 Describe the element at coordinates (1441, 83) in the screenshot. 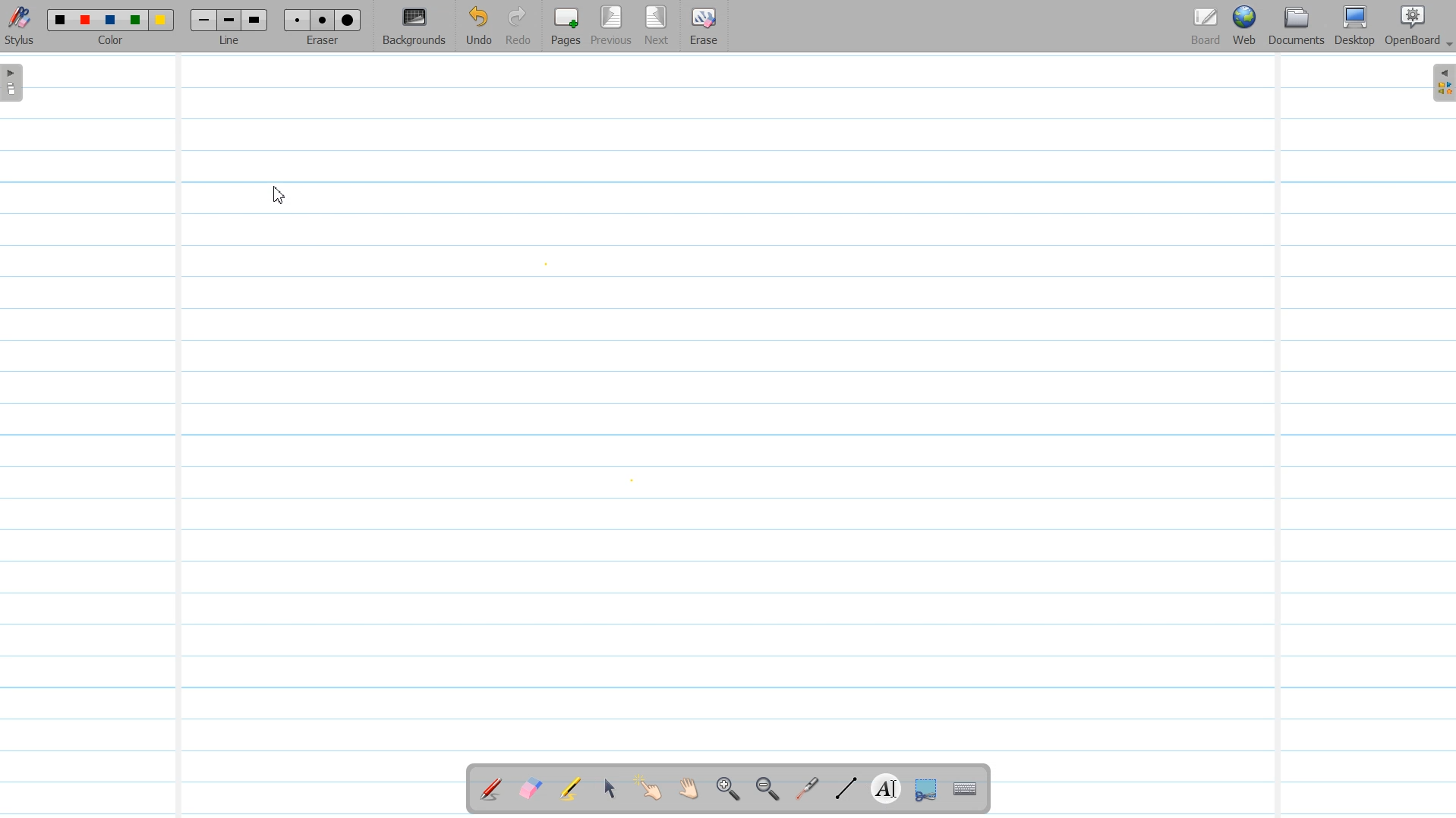

I see `Sidebar ` at that location.